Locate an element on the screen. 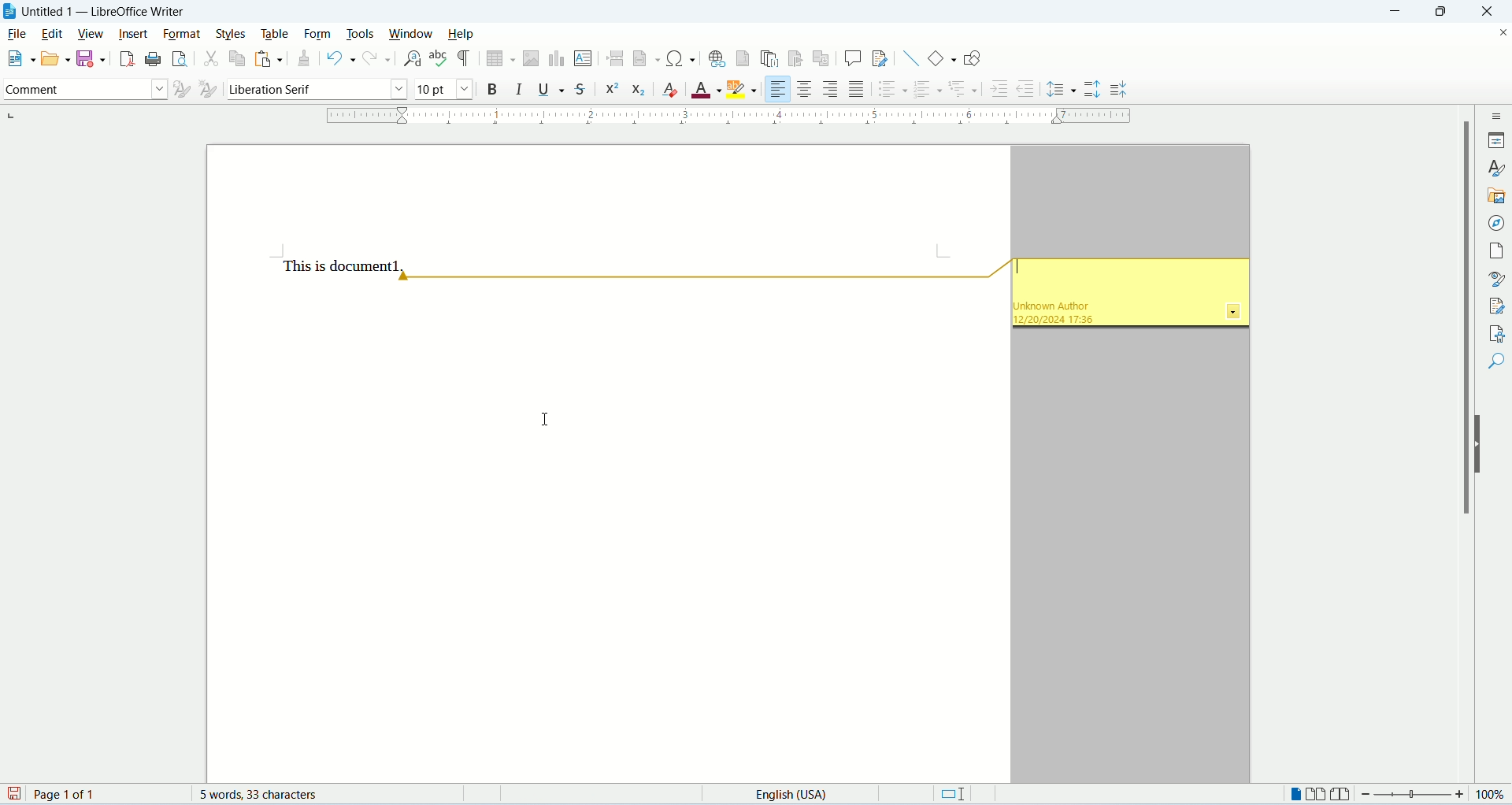 This screenshot has height=805, width=1512. untitled 1 - libreoffice writter is located at coordinates (108, 12).